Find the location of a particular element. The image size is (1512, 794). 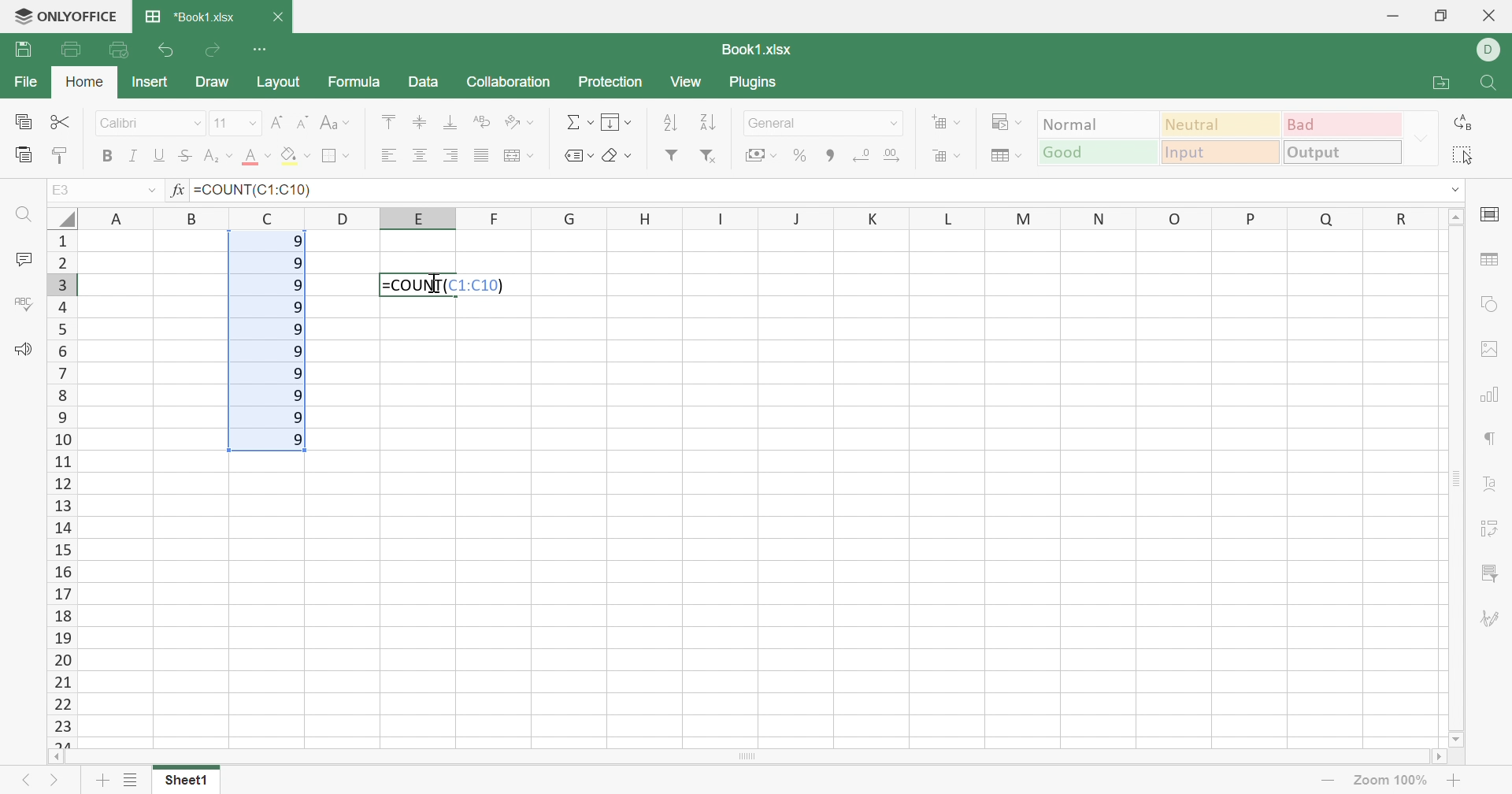

List of Sheets is located at coordinates (131, 781).